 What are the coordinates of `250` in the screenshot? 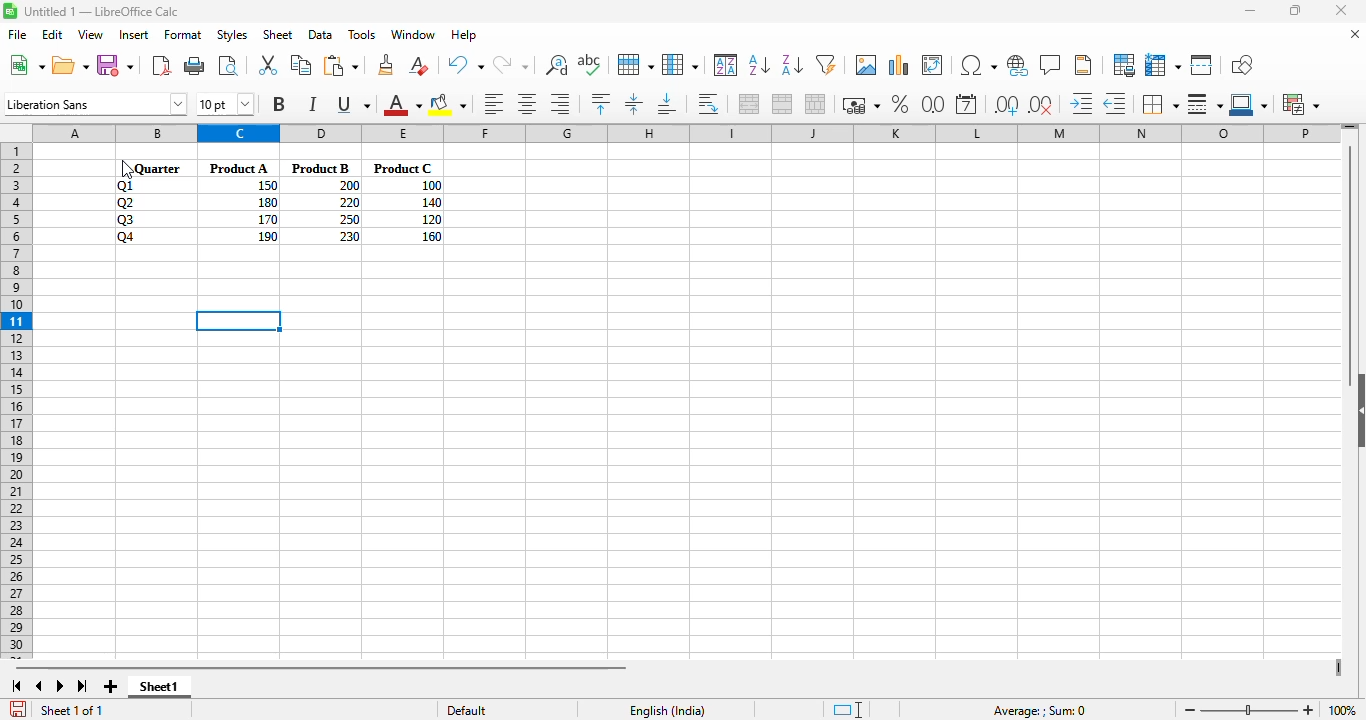 It's located at (348, 219).